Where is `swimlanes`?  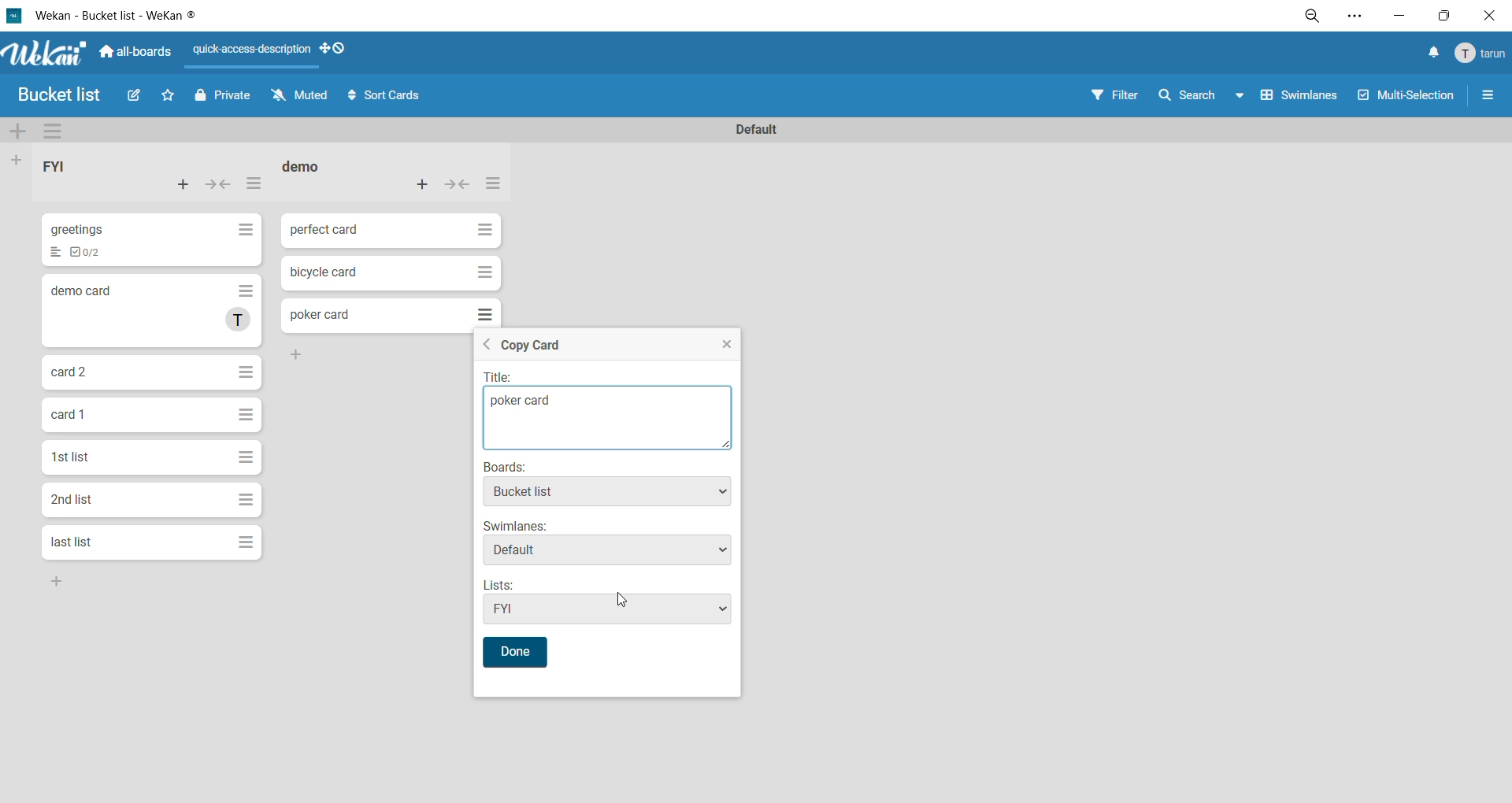 swimlanes is located at coordinates (1303, 98).